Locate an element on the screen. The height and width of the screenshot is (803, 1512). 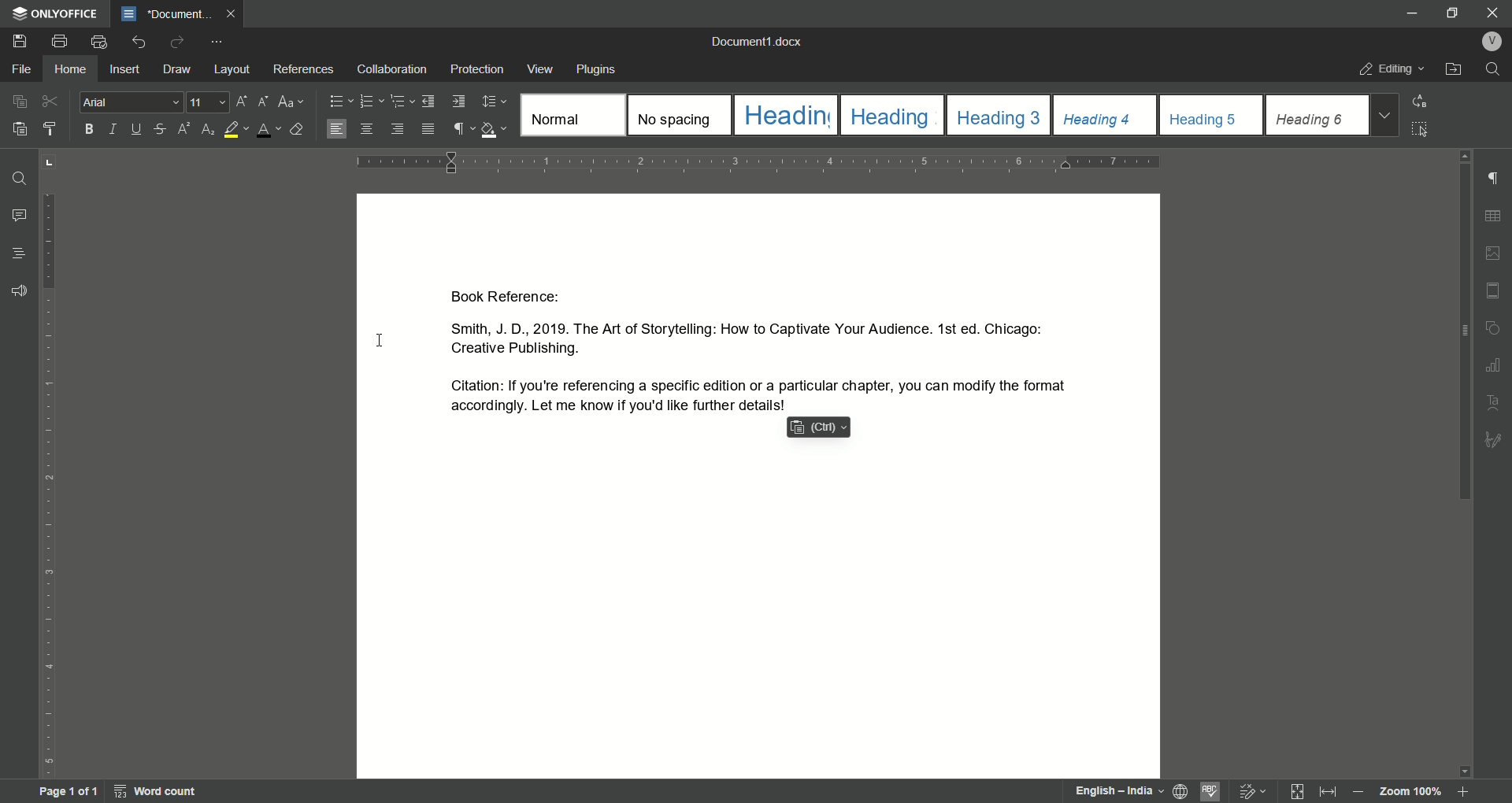
set document language is located at coordinates (1180, 790).